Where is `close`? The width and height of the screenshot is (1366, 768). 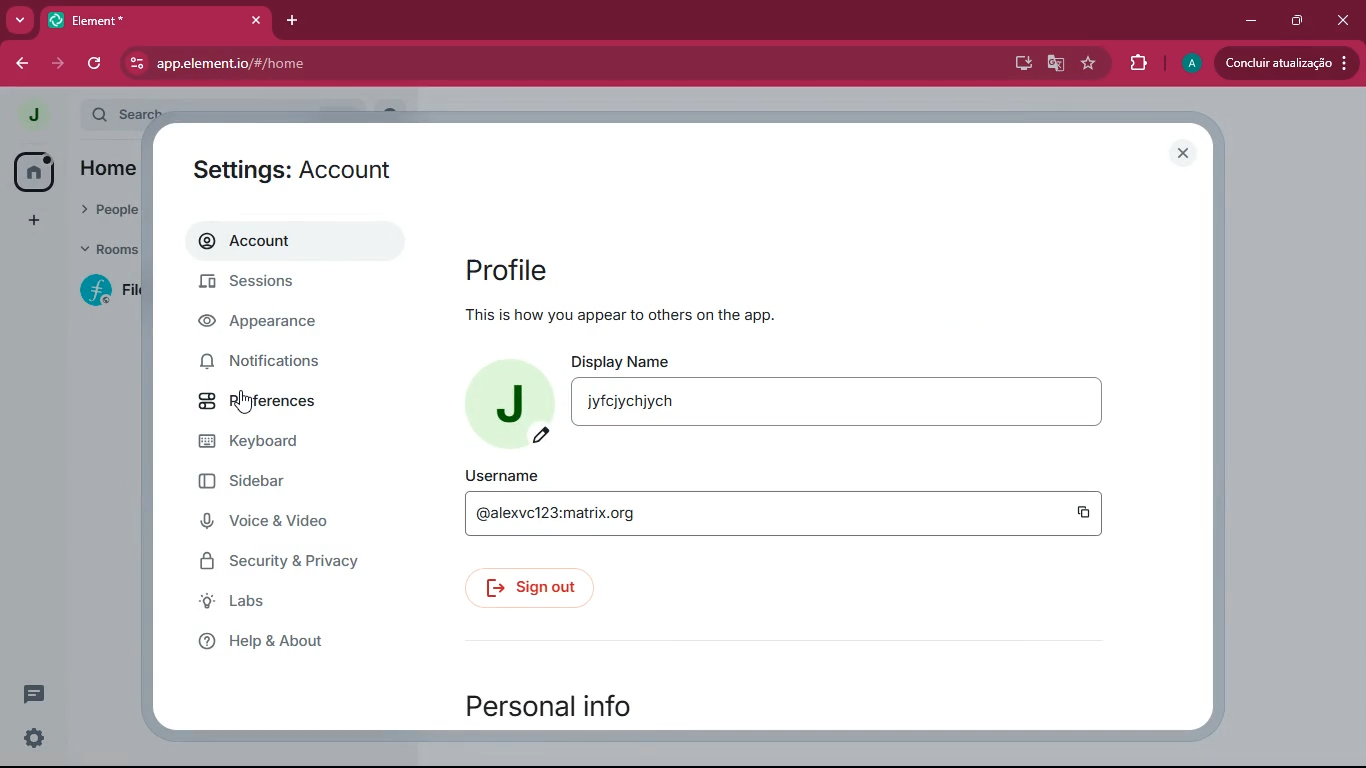 close is located at coordinates (1346, 24).